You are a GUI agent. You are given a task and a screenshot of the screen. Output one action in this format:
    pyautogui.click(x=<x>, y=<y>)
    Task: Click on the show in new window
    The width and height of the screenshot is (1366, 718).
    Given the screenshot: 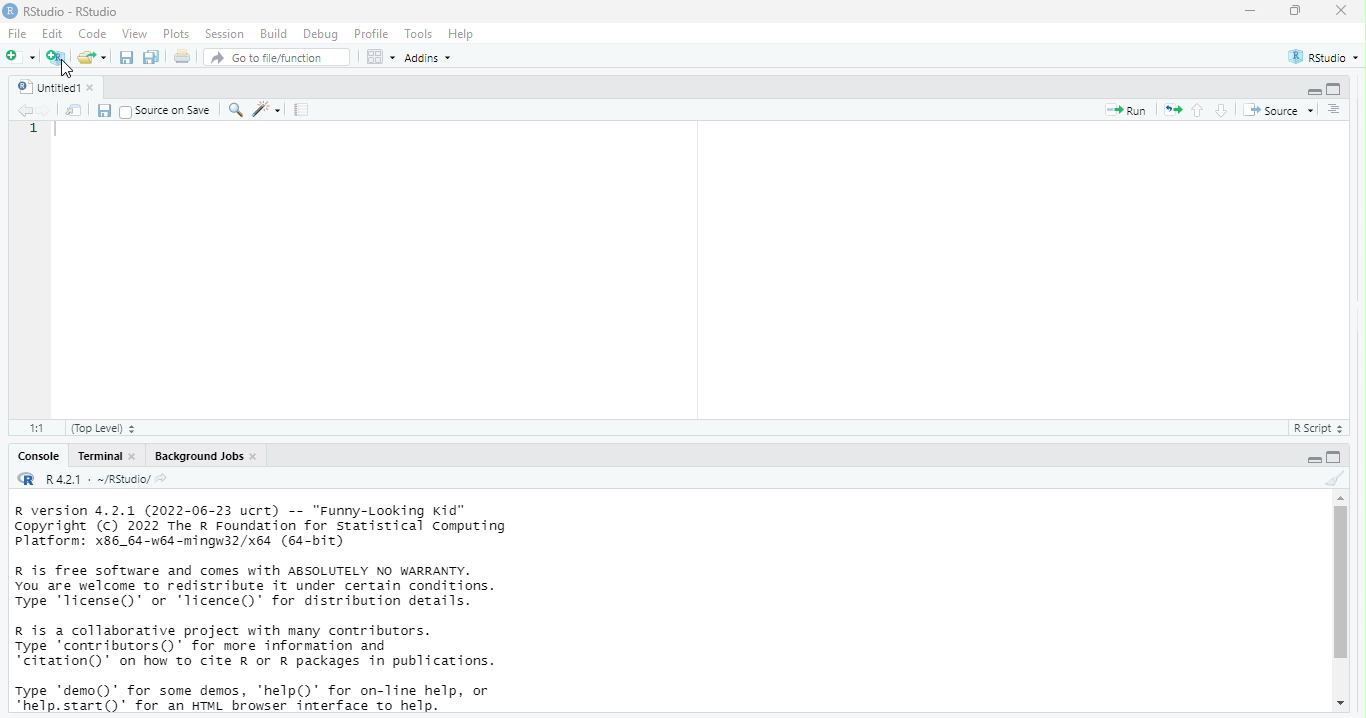 What is the action you would take?
    pyautogui.click(x=74, y=110)
    